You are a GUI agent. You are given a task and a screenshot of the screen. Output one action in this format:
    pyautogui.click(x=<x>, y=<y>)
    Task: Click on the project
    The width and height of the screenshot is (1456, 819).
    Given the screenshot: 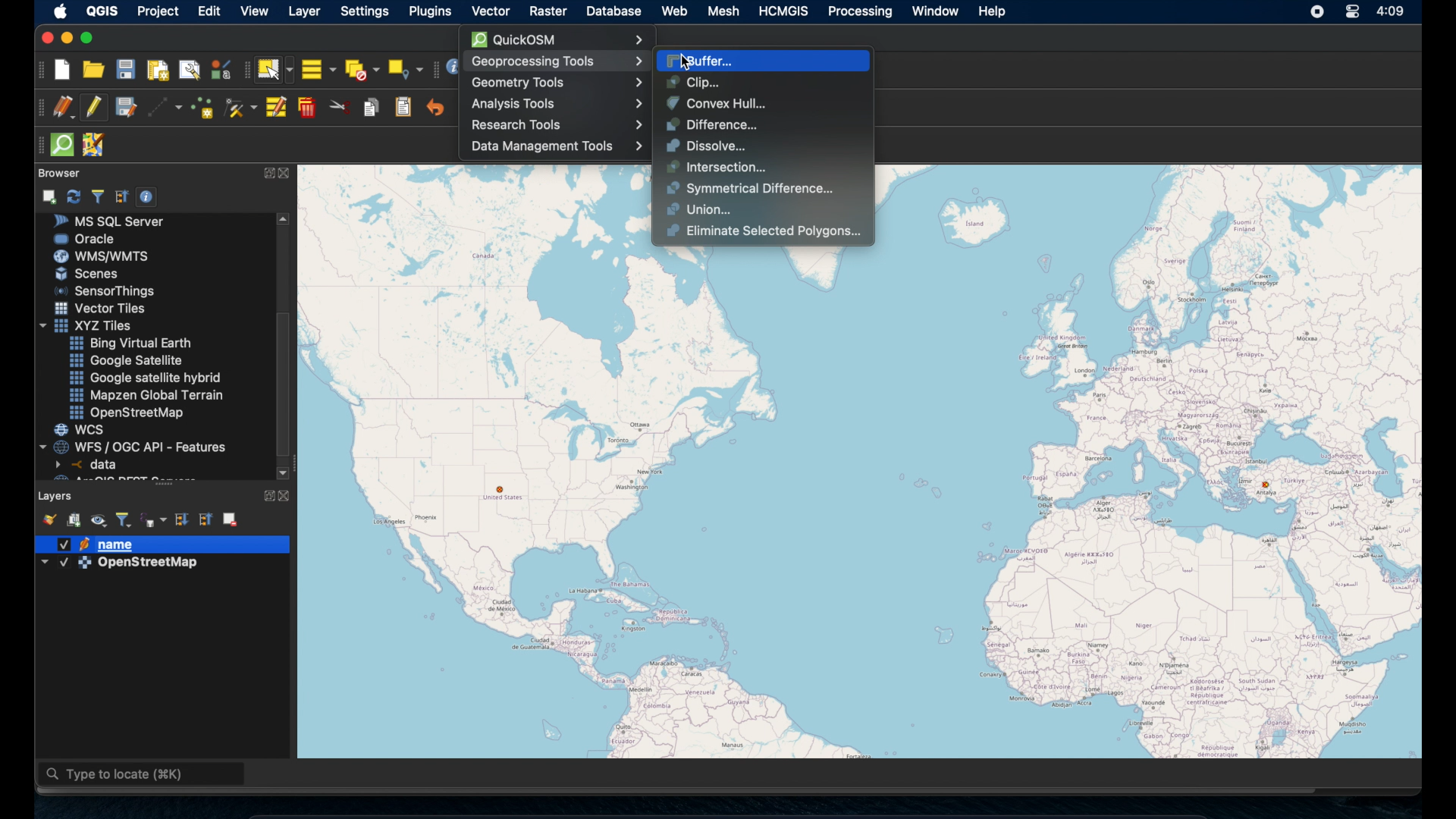 What is the action you would take?
    pyautogui.click(x=161, y=11)
    